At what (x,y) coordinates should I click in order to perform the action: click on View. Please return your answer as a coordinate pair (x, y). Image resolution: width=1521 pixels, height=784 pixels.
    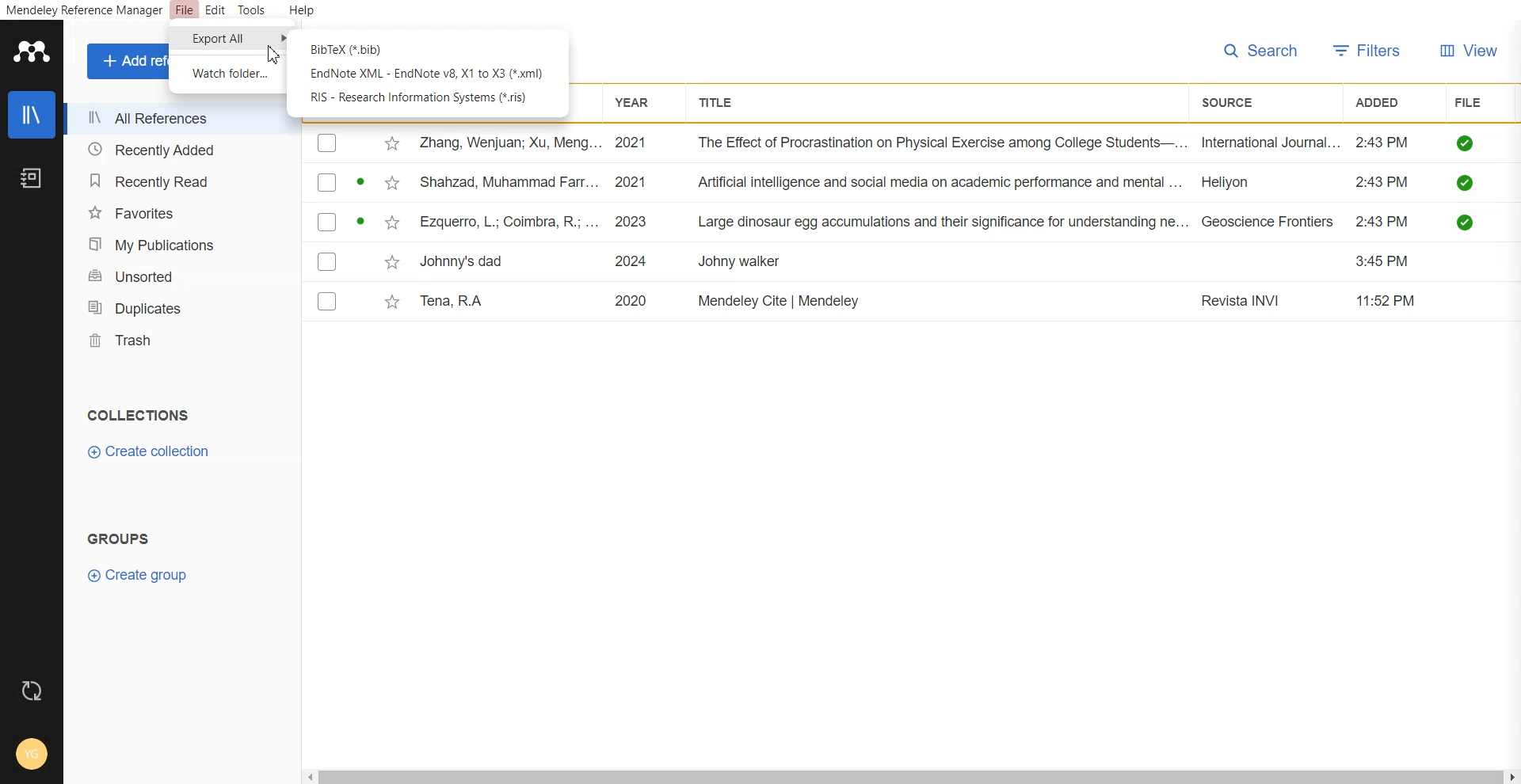
    Looking at the image, I should click on (1470, 52).